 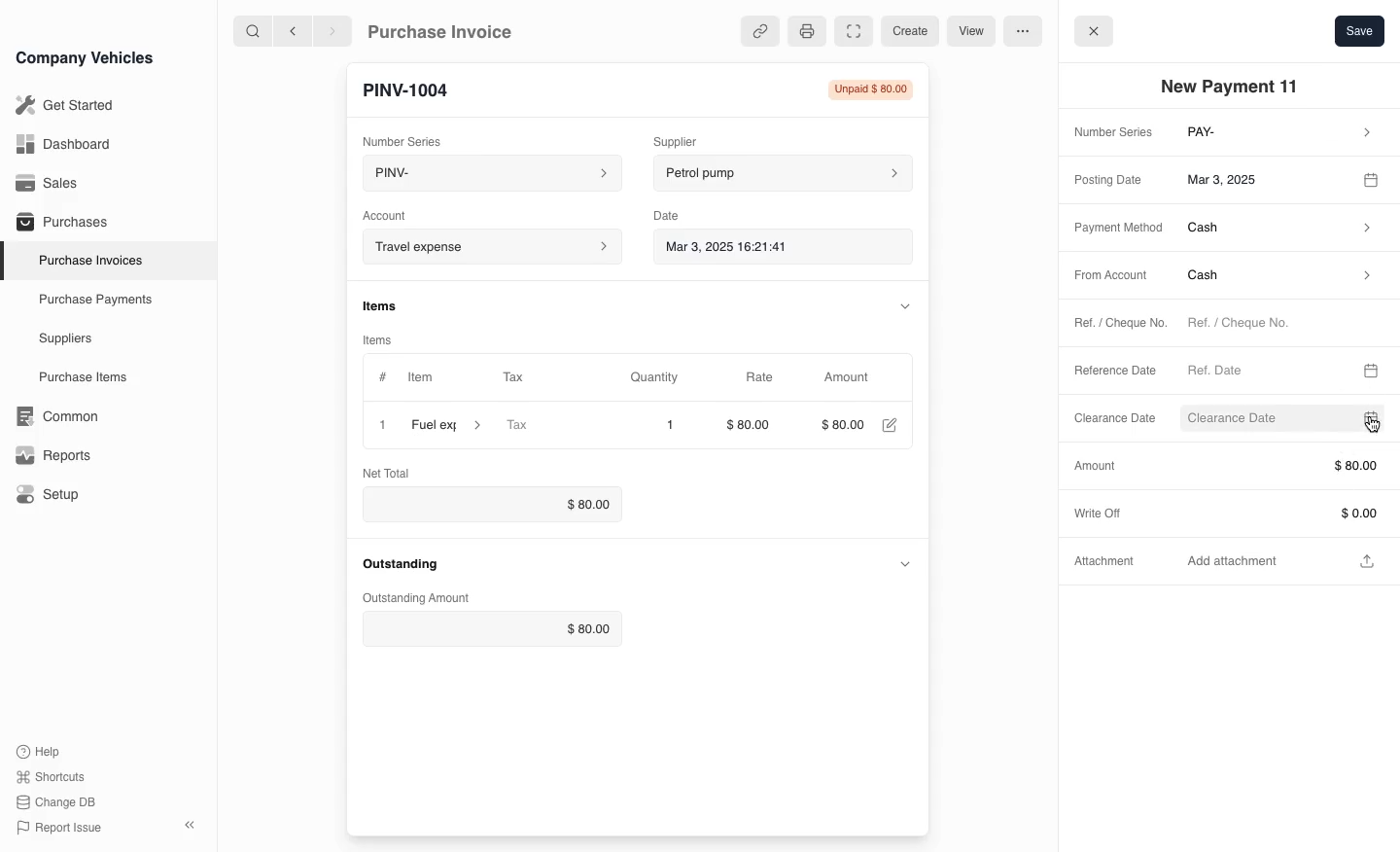 What do you see at coordinates (1116, 372) in the screenshot?
I see `Reference Date` at bounding box center [1116, 372].